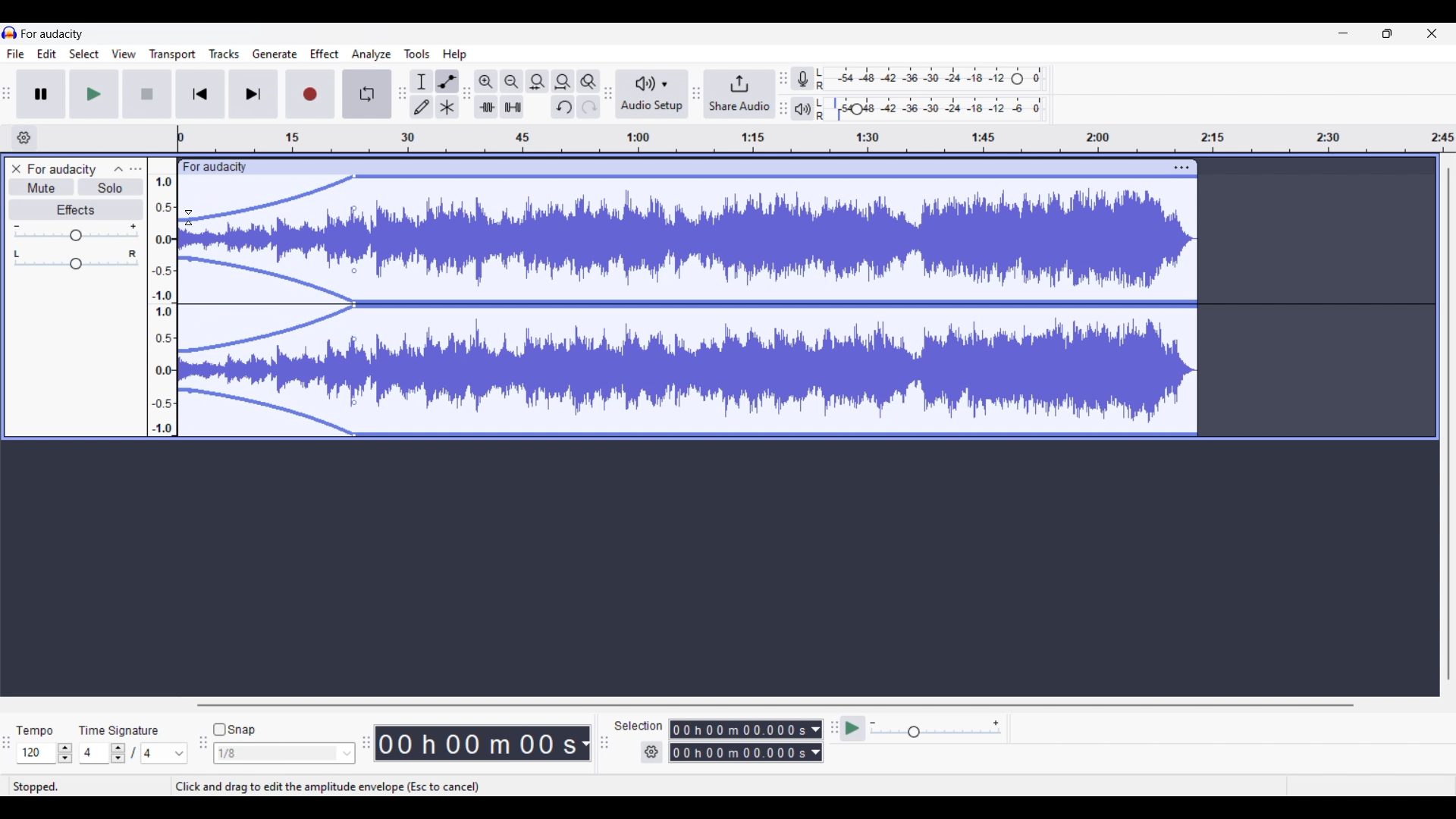 The height and width of the screenshot is (819, 1456). Describe the element at coordinates (16, 54) in the screenshot. I see `File` at that location.